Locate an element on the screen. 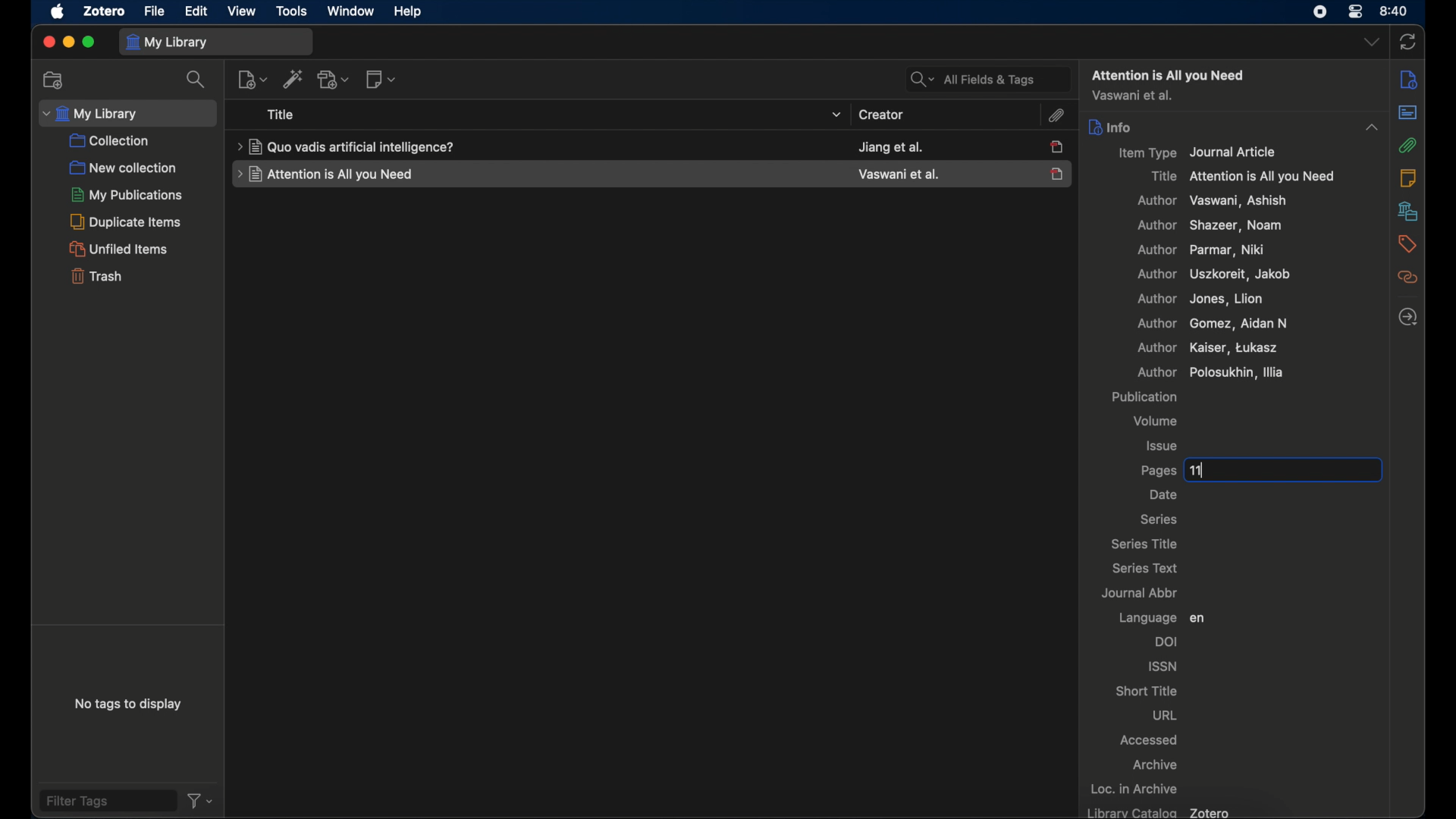 The width and height of the screenshot is (1456, 819). new collections is located at coordinates (55, 80).